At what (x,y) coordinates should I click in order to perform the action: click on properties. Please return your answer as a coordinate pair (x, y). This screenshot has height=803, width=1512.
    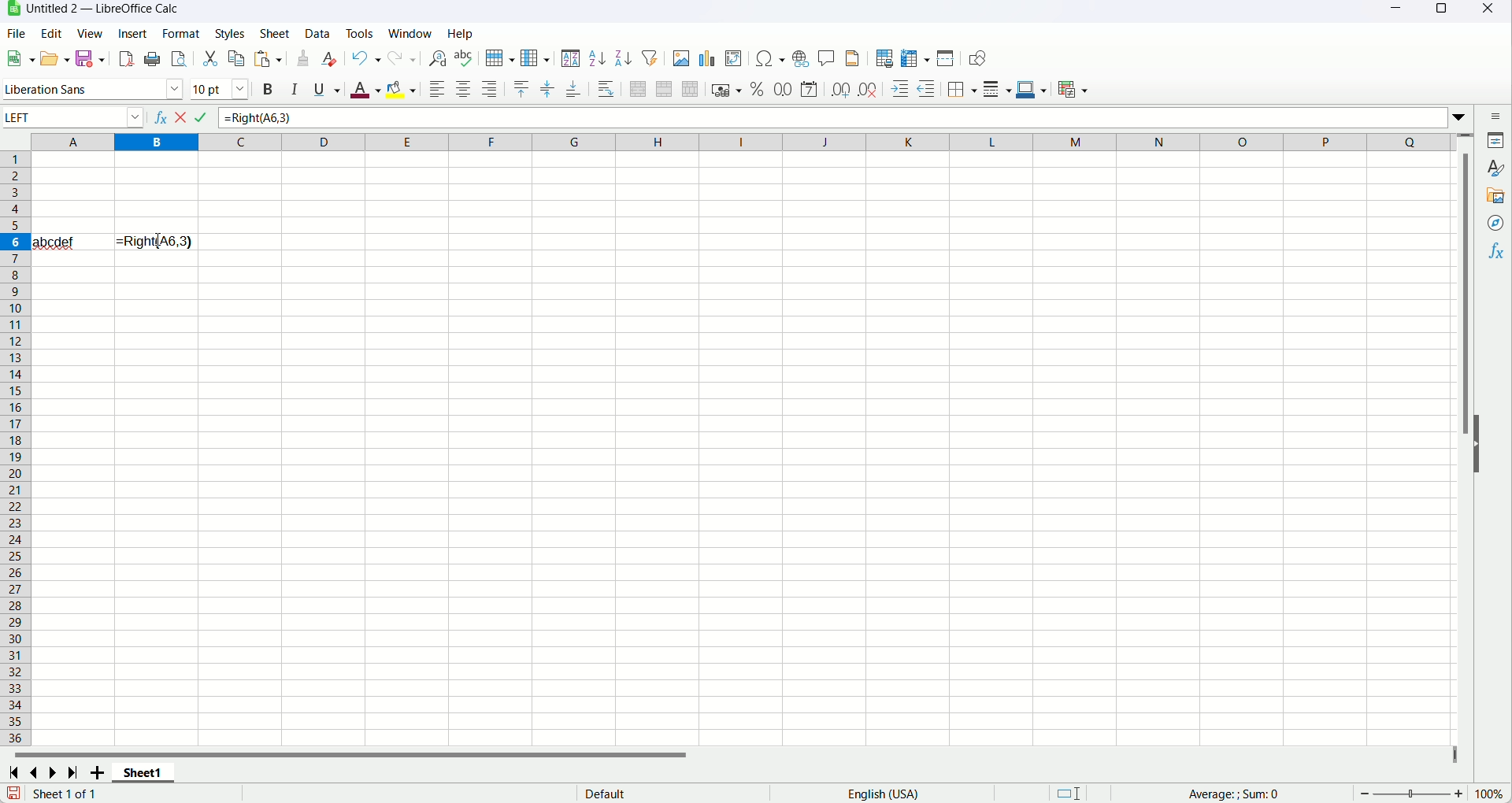
    Looking at the image, I should click on (1496, 142).